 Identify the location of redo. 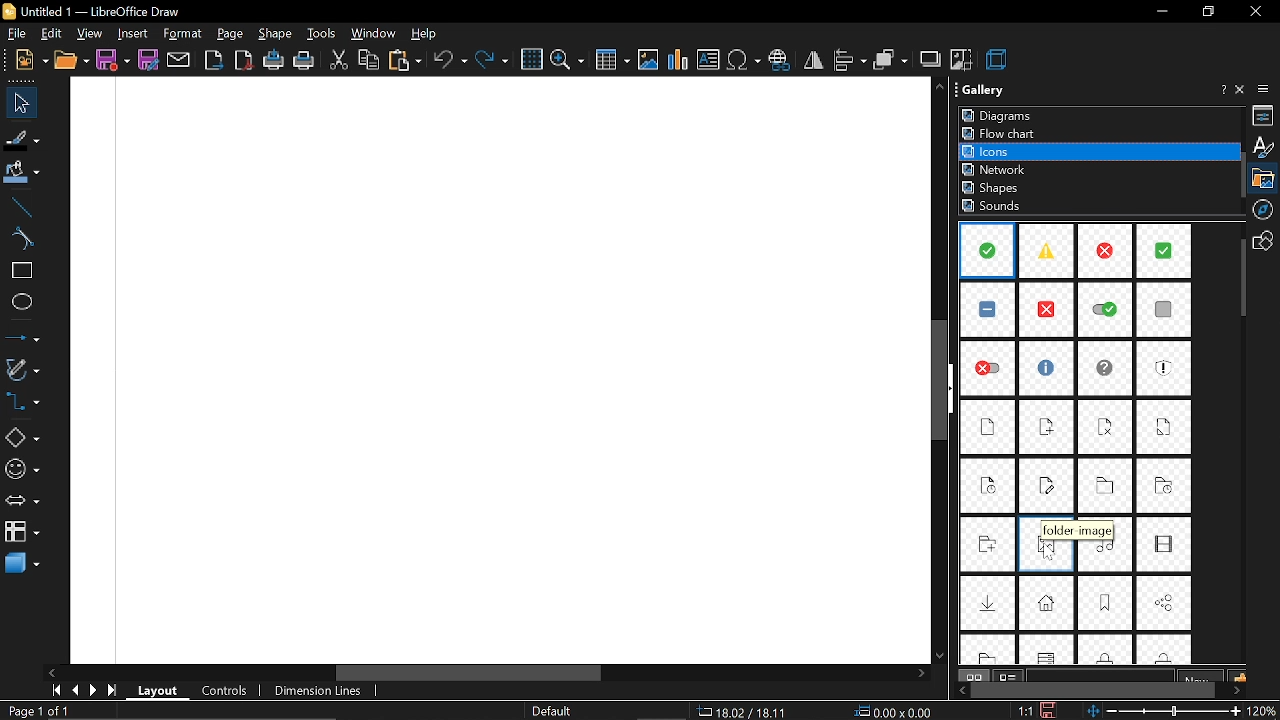
(494, 59).